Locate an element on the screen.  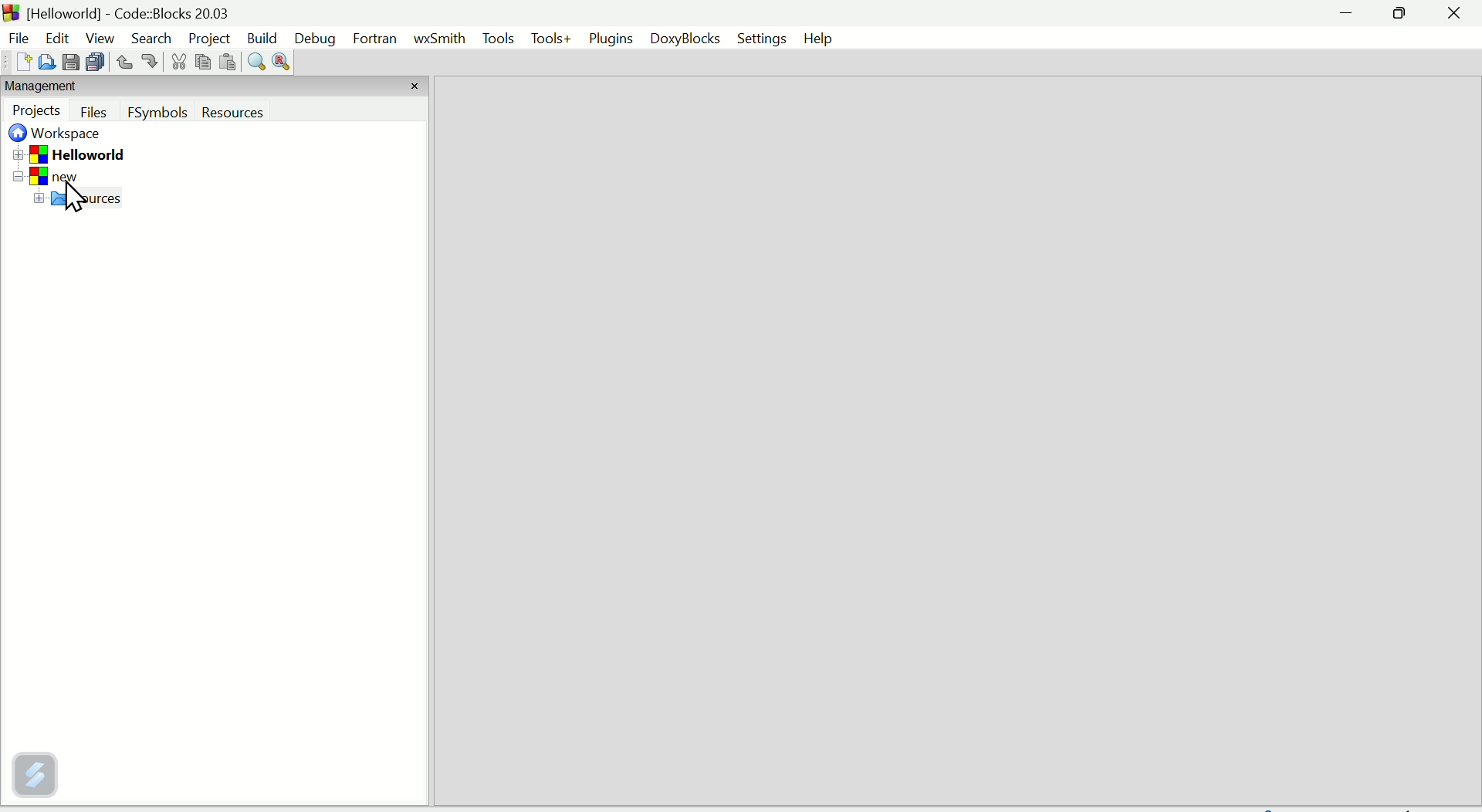
Replace is located at coordinates (281, 62).